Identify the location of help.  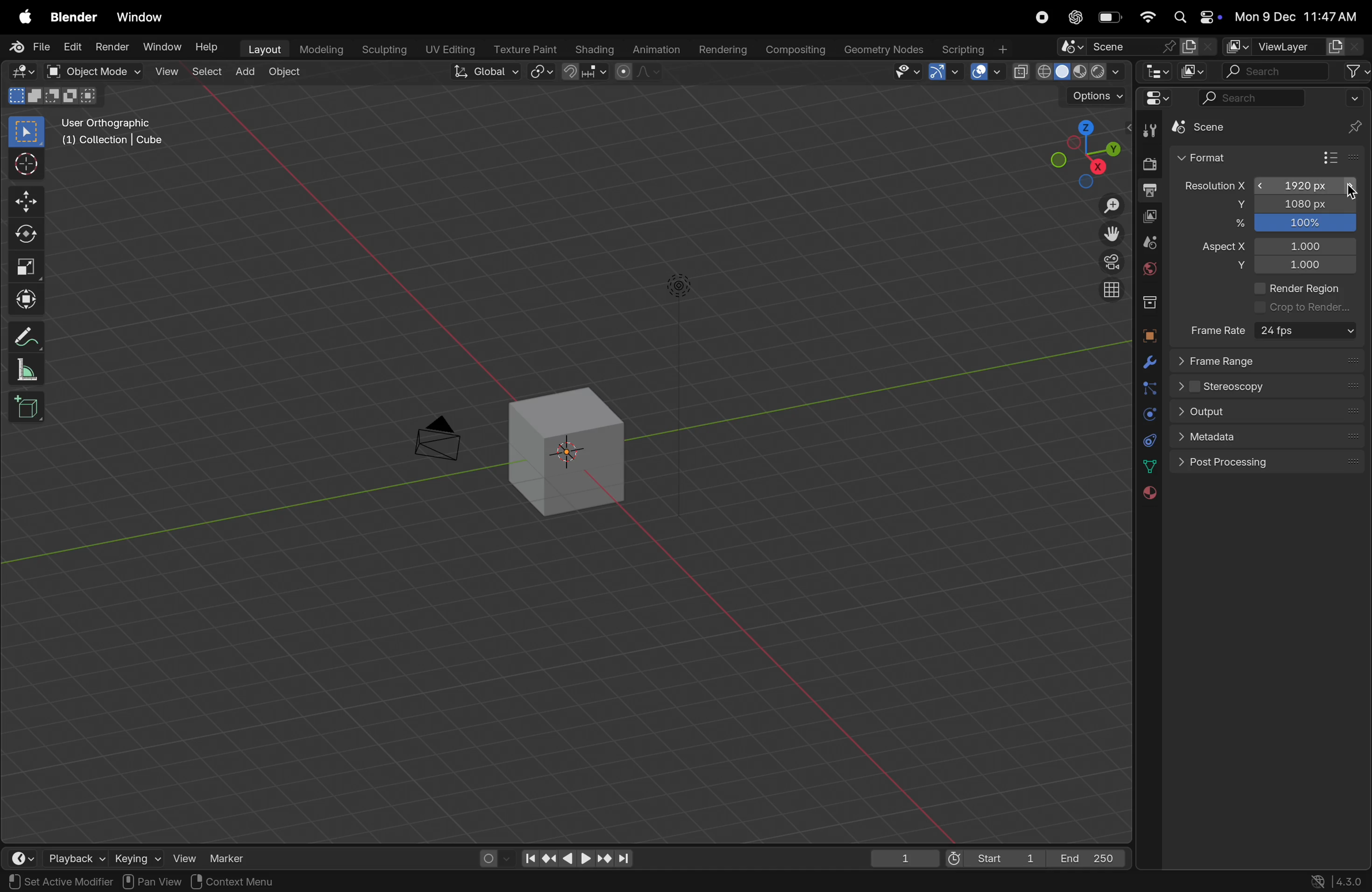
(207, 47).